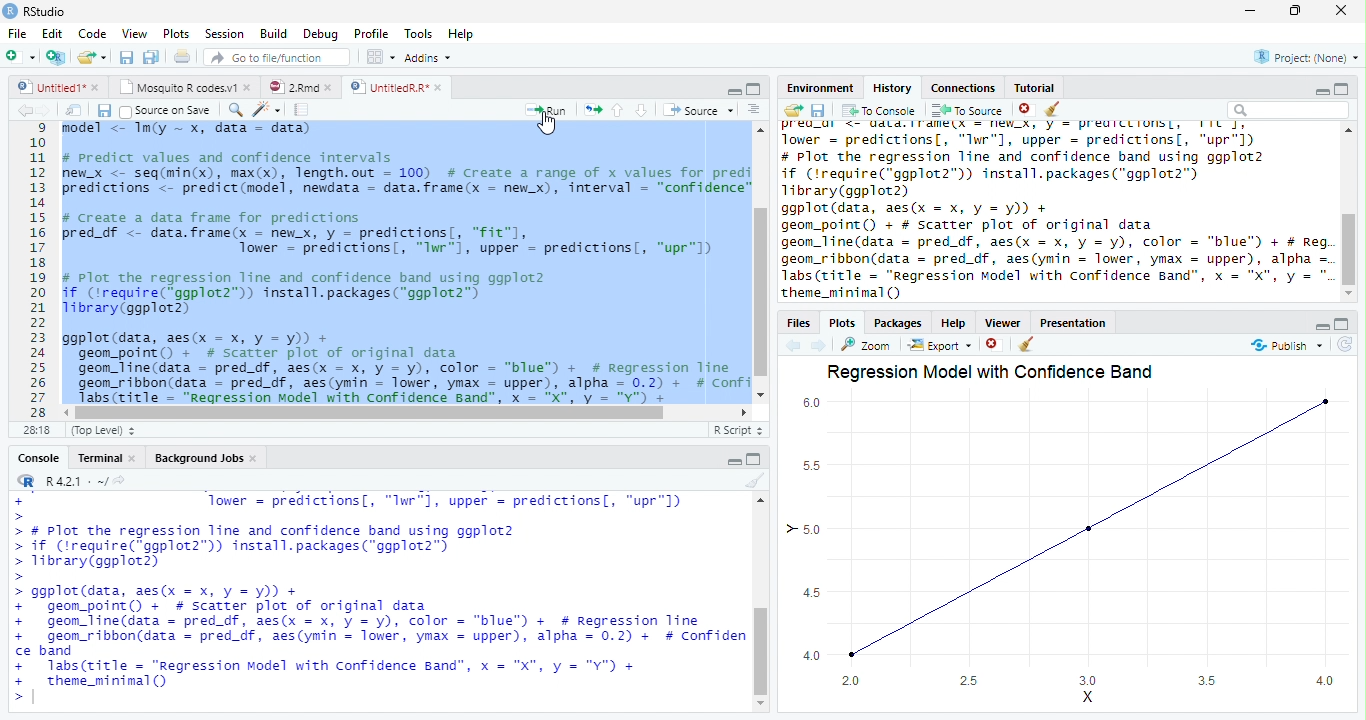 The height and width of the screenshot is (720, 1366). Describe the element at coordinates (67, 480) in the screenshot. I see `R 4.2.1` at that location.